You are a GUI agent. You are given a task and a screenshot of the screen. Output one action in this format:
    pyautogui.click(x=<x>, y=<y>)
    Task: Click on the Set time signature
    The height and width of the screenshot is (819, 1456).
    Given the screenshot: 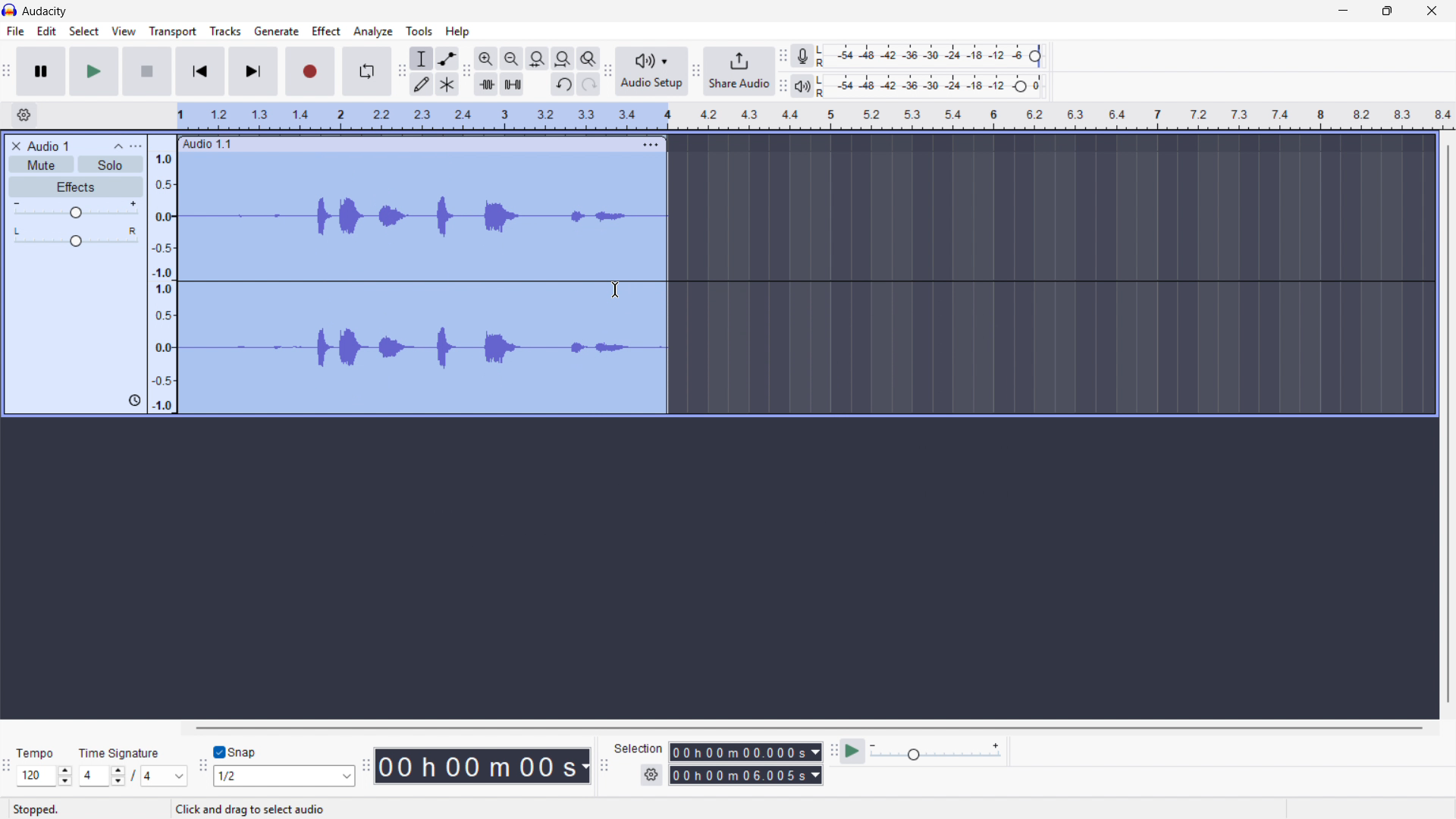 What is the action you would take?
    pyautogui.click(x=133, y=765)
    